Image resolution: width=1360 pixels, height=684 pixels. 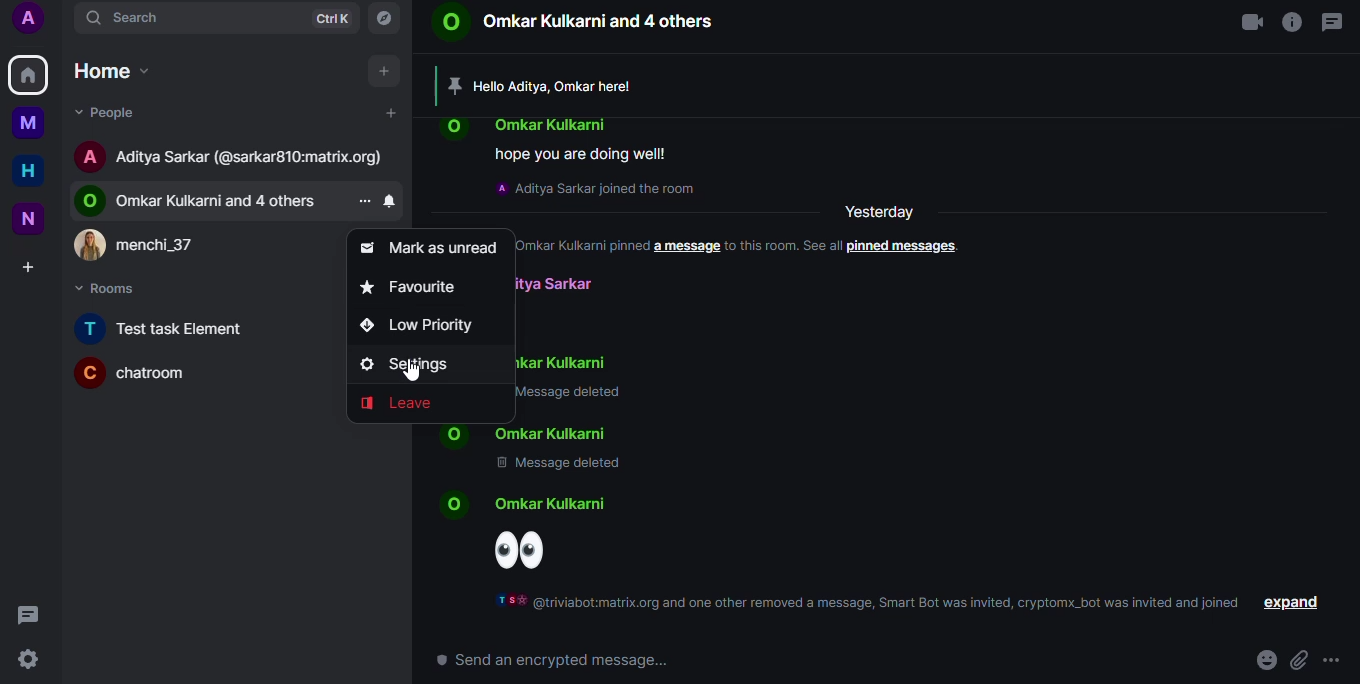 What do you see at coordinates (93, 156) in the screenshot?
I see `A` at bounding box center [93, 156].